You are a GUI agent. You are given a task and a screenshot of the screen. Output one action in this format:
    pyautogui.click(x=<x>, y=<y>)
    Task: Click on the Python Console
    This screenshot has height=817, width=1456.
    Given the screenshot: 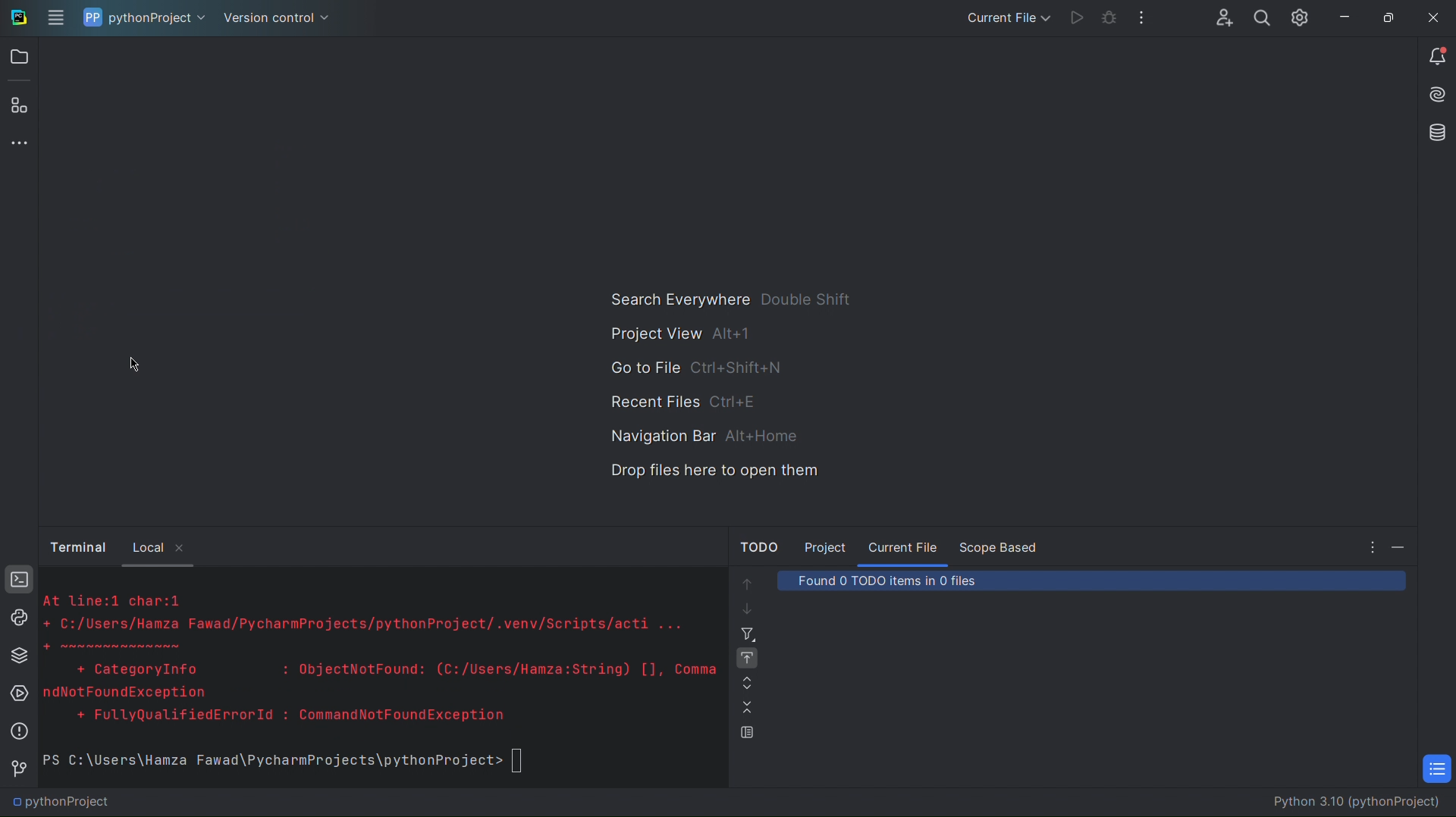 What is the action you would take?
    pyautogui.click(x=18, y=618)
    